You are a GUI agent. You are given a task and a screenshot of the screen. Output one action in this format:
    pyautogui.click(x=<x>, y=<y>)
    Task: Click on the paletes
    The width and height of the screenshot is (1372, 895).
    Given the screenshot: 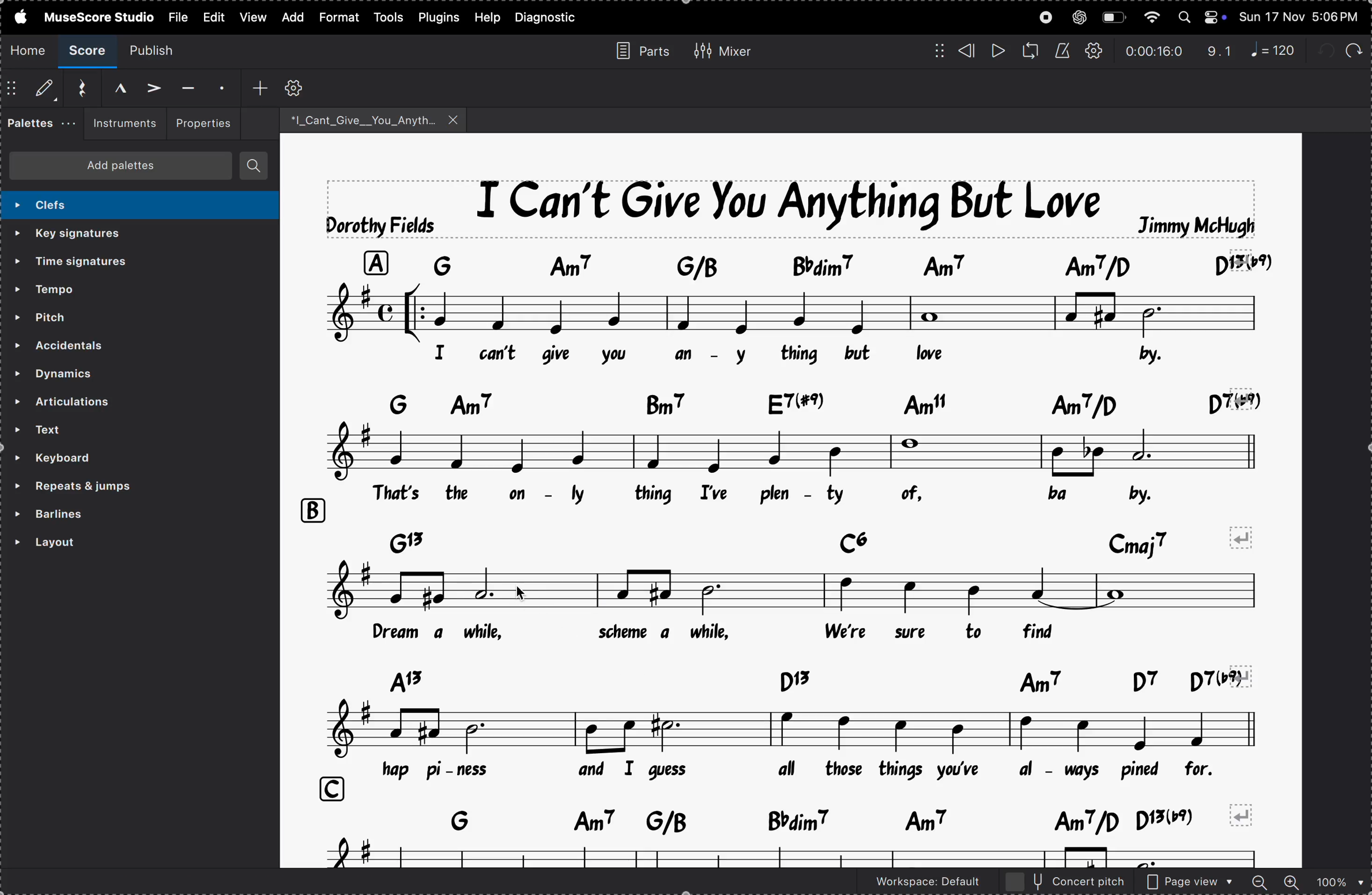 What is the action you would take?
    pyautogui.click(x=40, y=125)
    